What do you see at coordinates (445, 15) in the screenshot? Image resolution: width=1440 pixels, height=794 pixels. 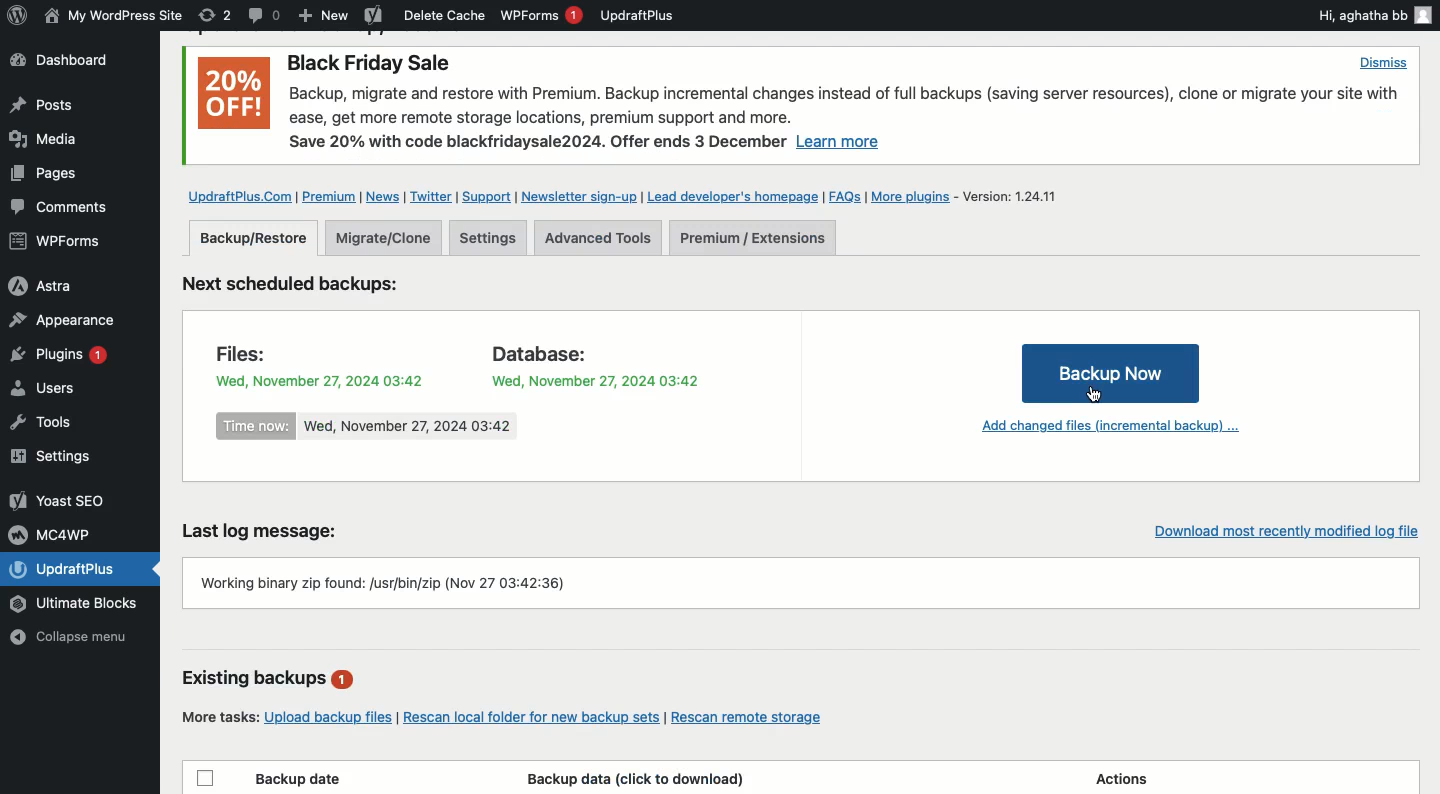 I see `Delete cache` at bounding box center [445, 15].